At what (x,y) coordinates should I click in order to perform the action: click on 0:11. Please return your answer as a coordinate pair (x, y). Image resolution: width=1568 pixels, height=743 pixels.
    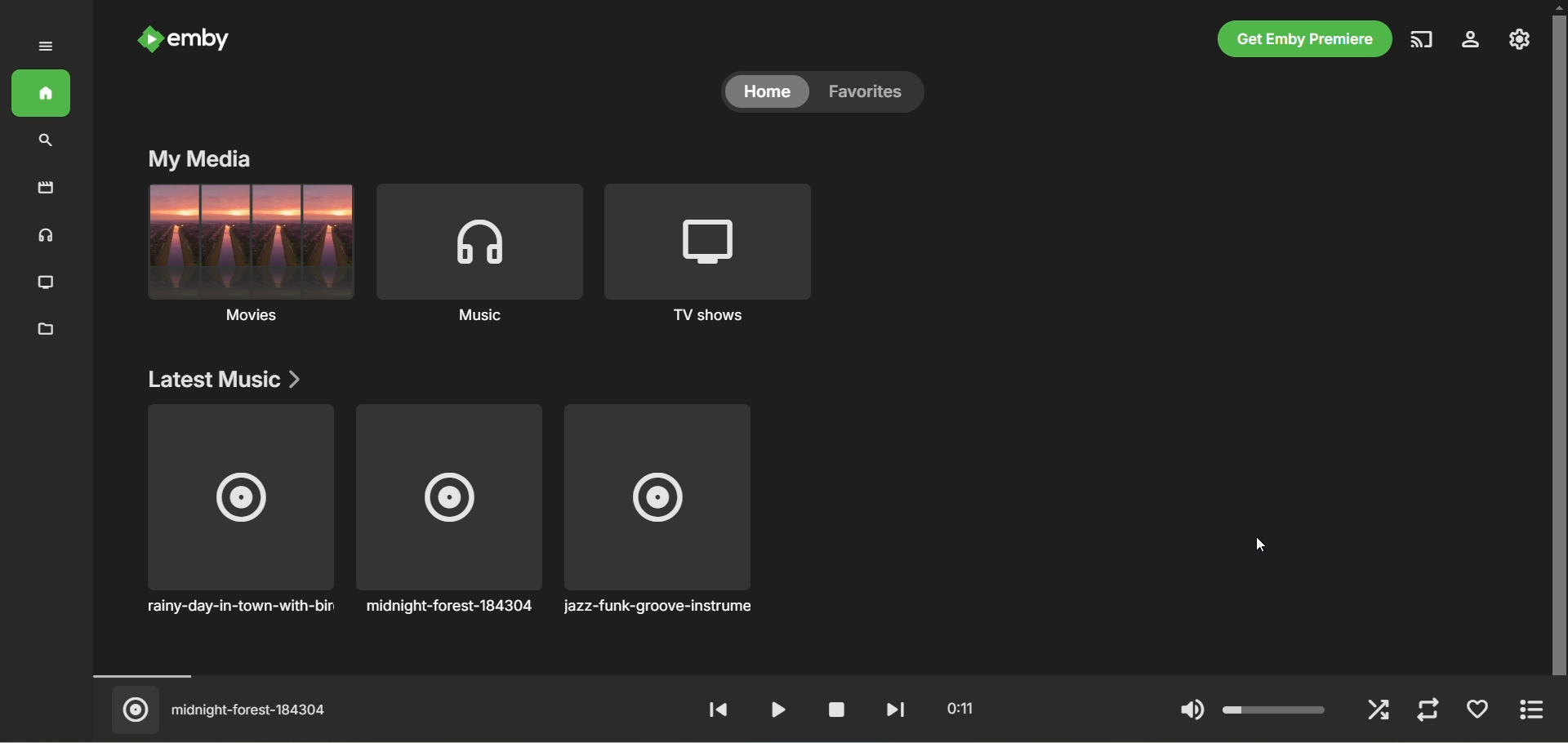
    Looking at the image, I should click on (954, 708).